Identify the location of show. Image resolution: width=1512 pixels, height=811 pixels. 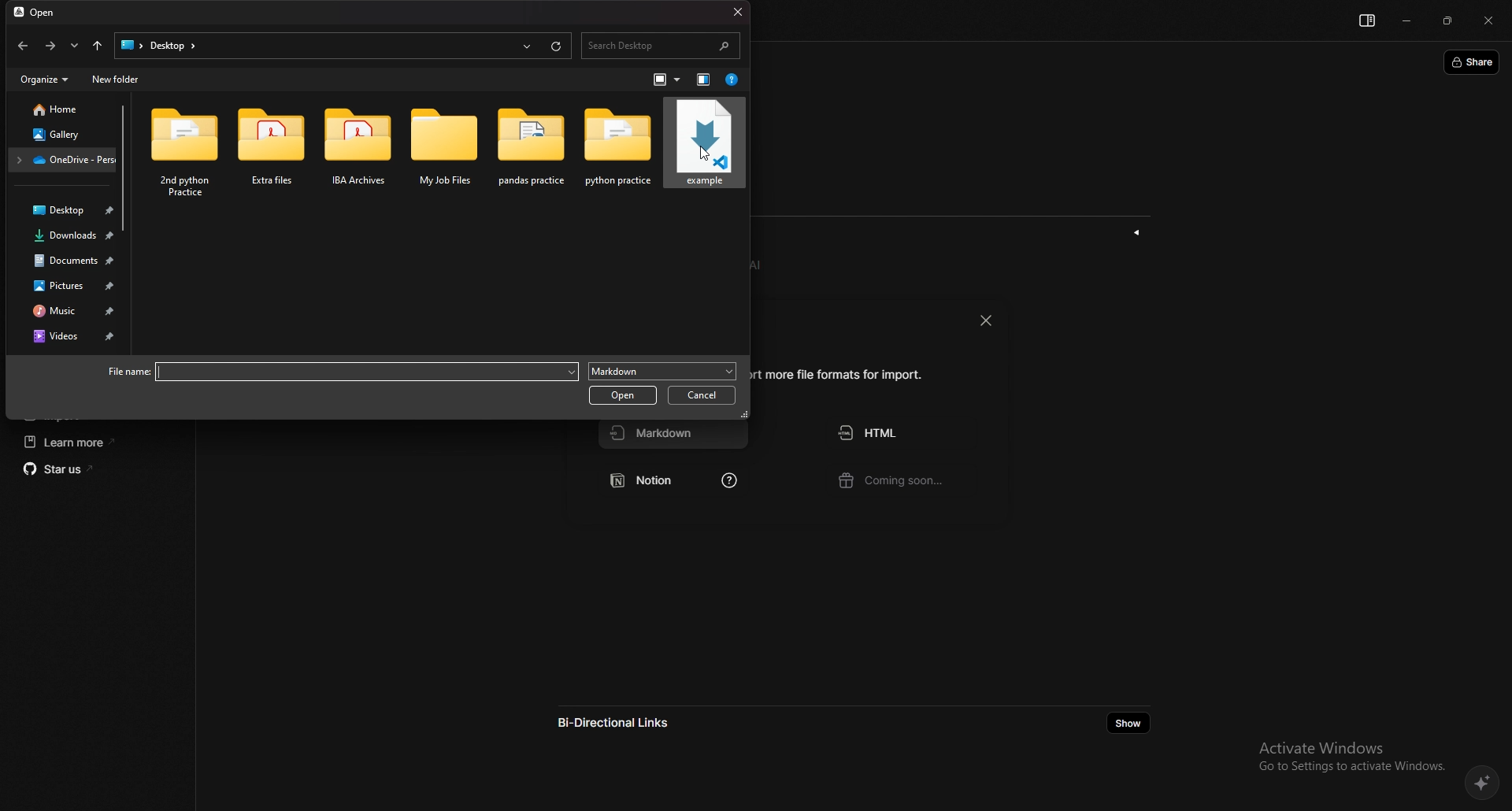
(1137, 232).